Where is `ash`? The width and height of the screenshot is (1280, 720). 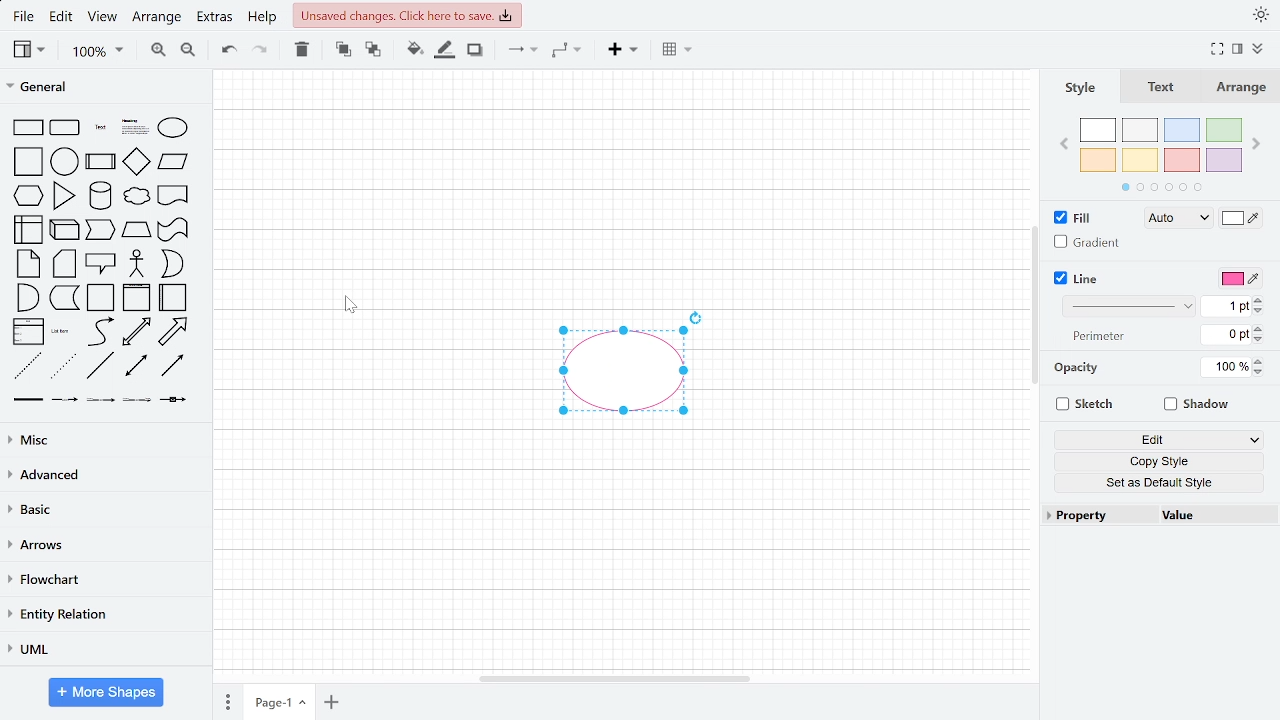
ash is located at coordinates (1139, 130).